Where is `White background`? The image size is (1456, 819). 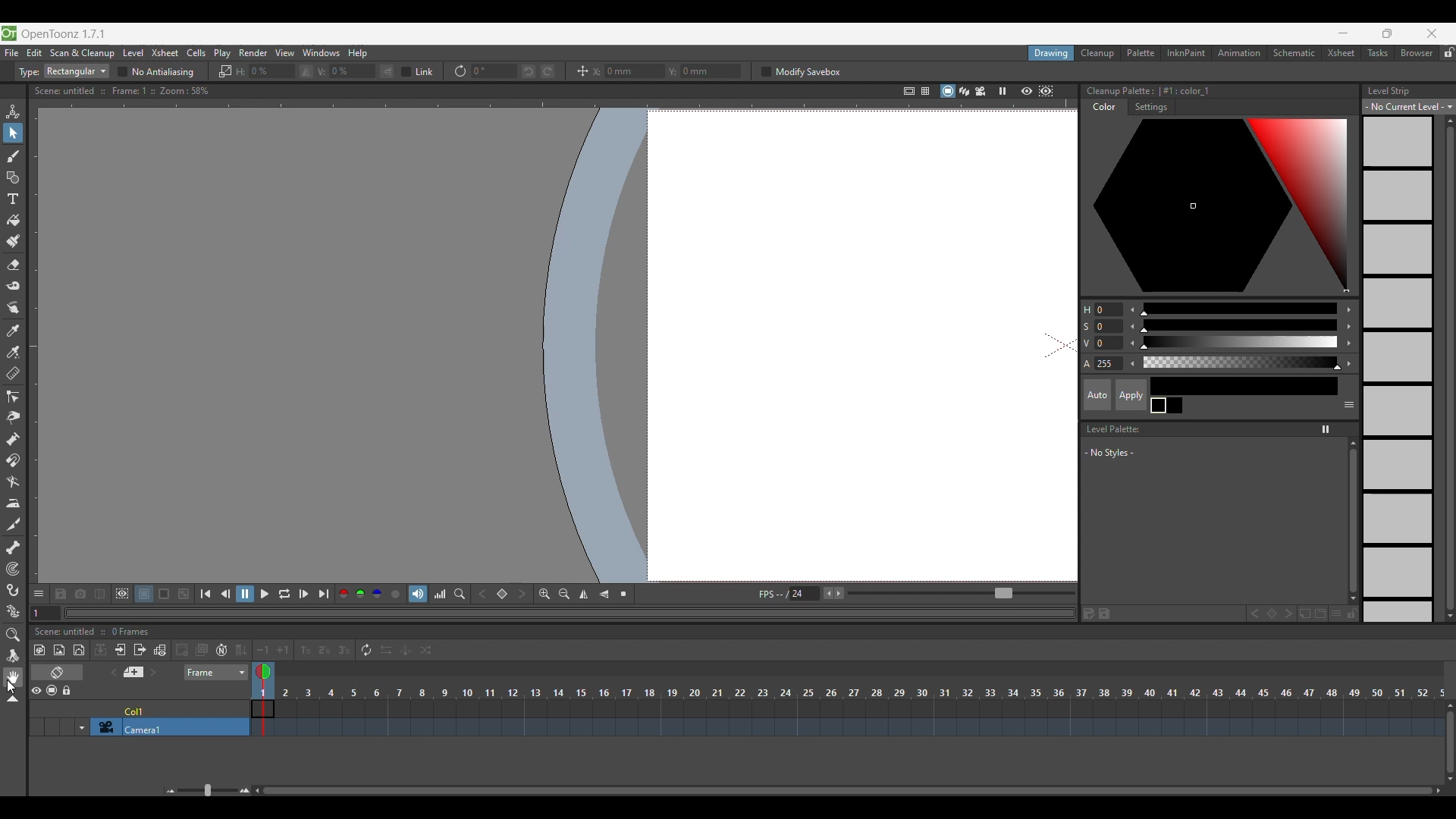 White background is located at coordinates (145, 594).